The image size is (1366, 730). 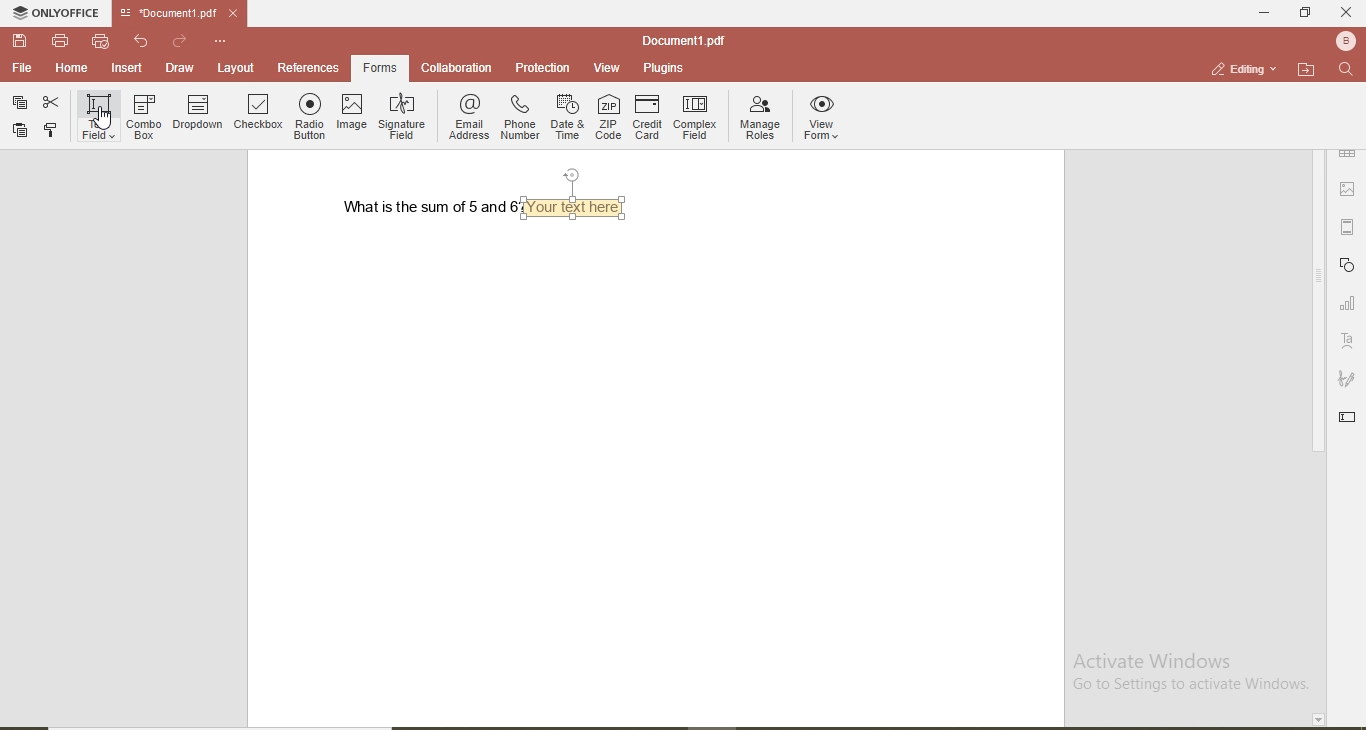 What do you see at coordinates (73, 69) in the screenshot?
I see `home` at bounding box center [73, 69].